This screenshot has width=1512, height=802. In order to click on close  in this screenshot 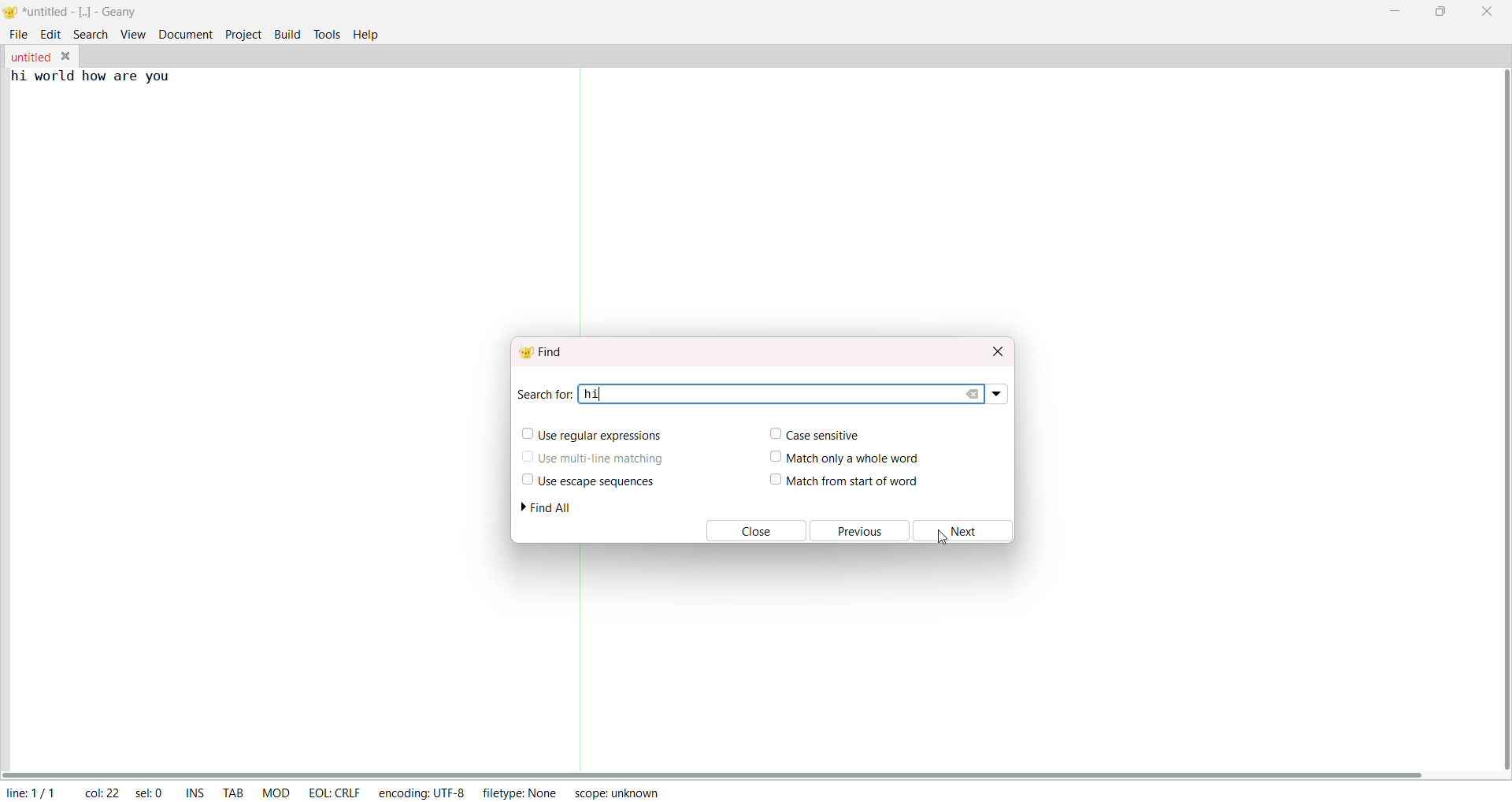, I will do `click(69, 54)`.